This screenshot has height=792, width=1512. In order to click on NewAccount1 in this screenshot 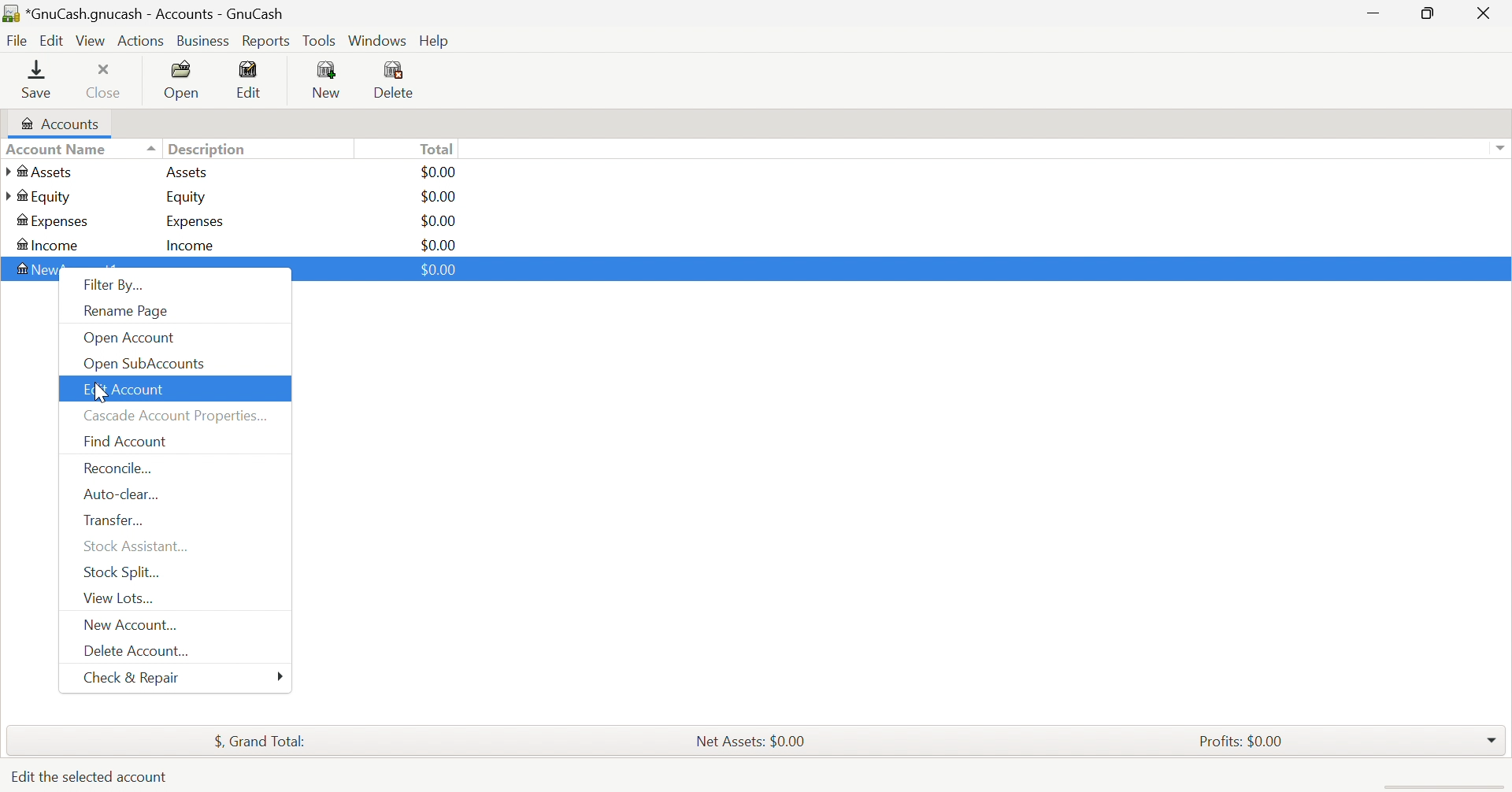, I will do `click(35, 269)`.